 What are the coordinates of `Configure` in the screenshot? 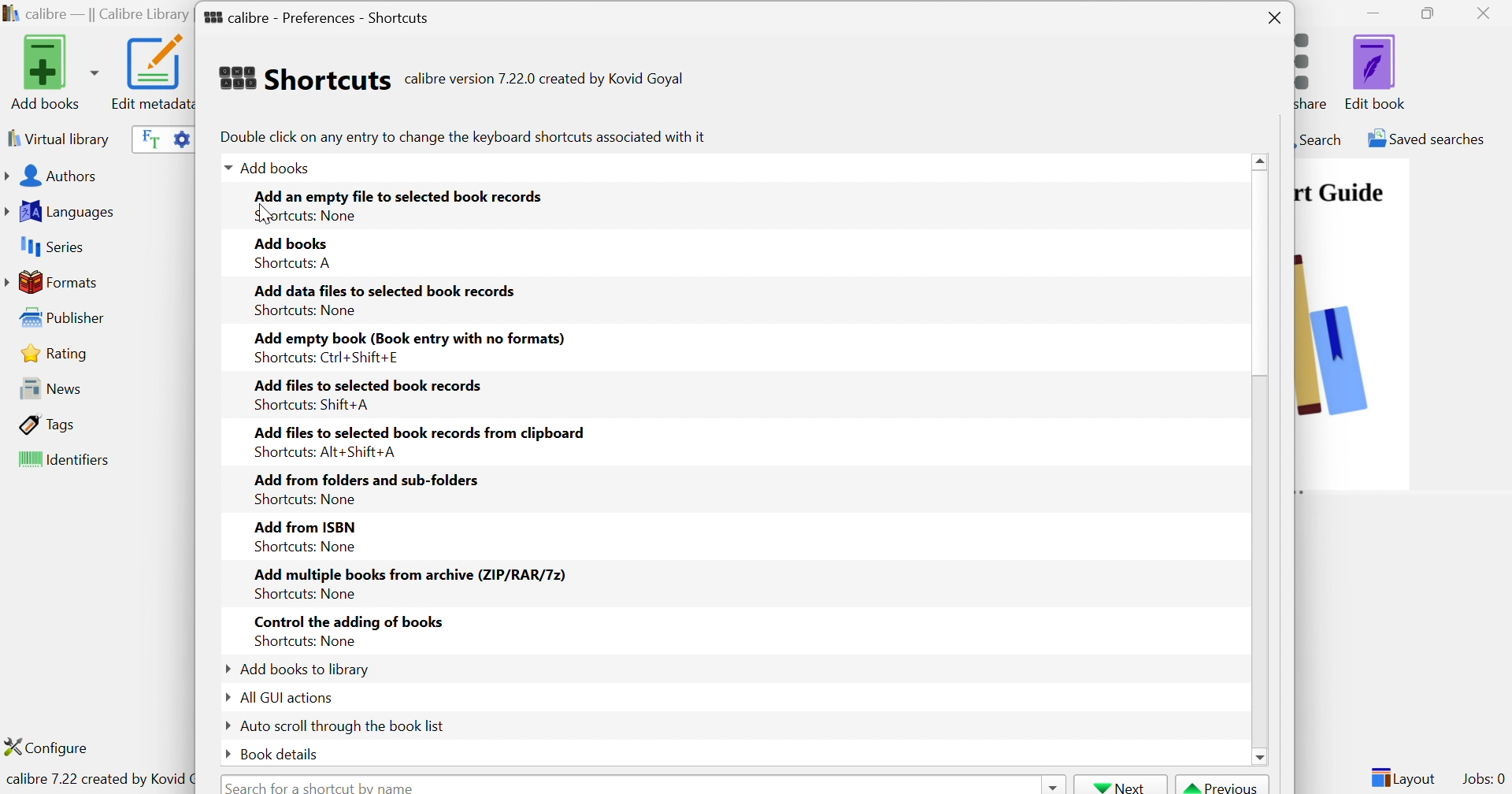 It's located at (53, 747).